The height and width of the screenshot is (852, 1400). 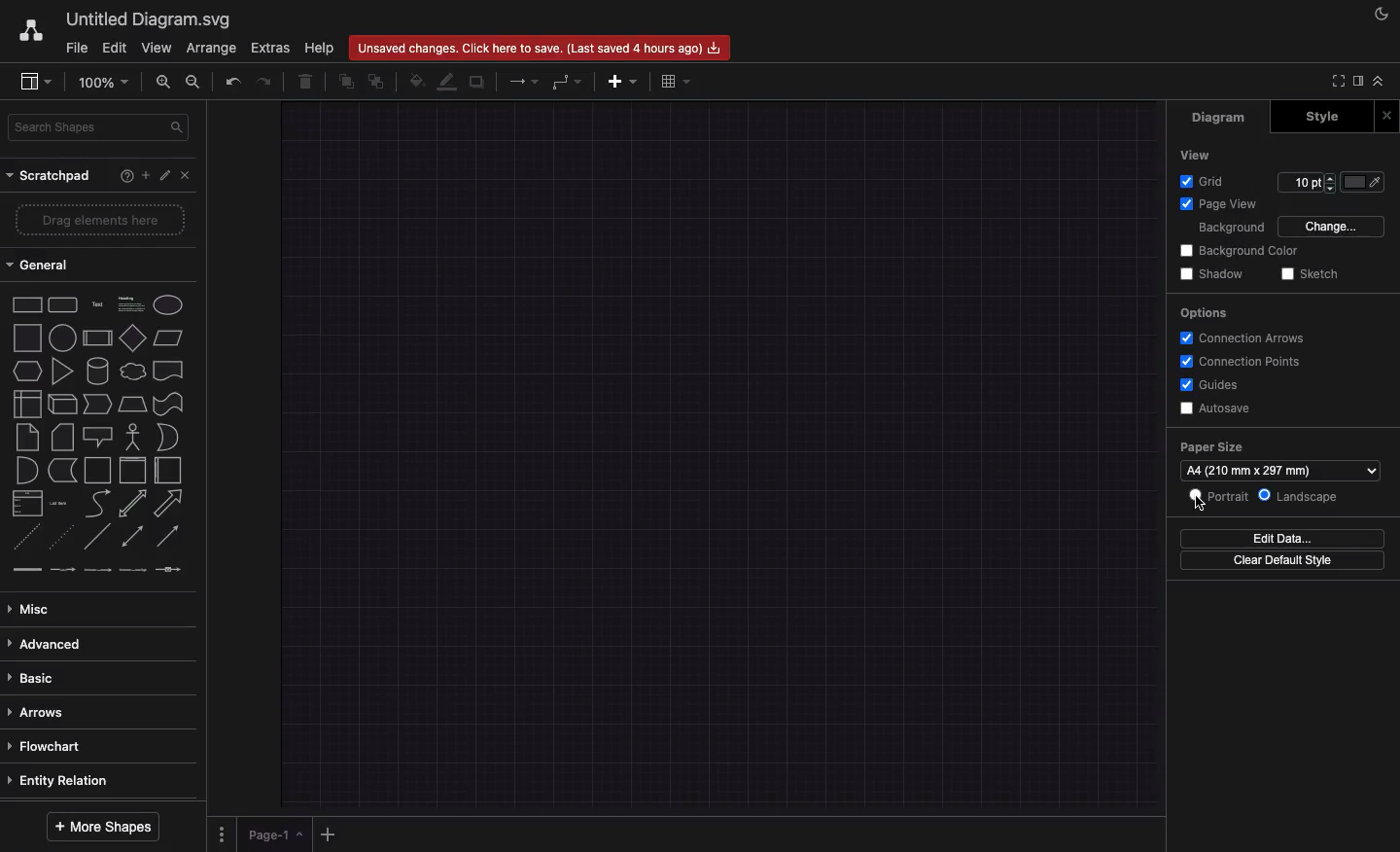 What do you see at coordinates (522, 82) in the screenshot?
I see `Arrow` at bounding box center [522, 82].